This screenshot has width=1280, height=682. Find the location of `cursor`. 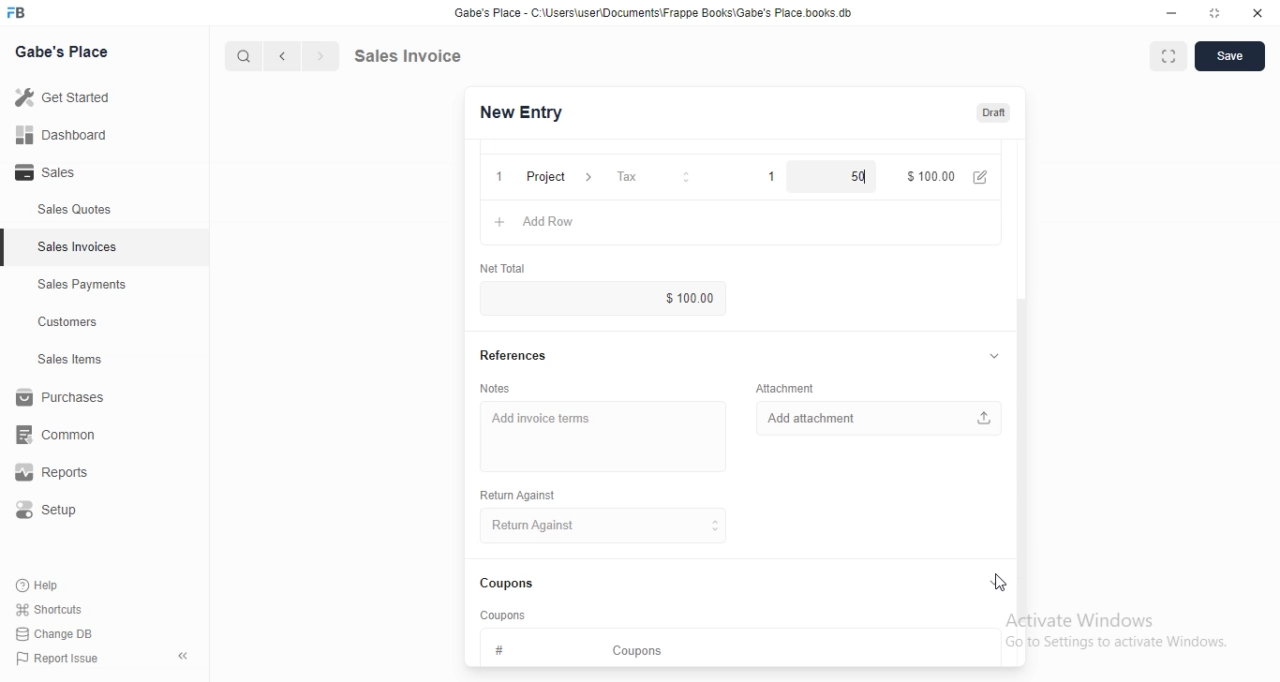

cursor is located at coordinates (1000, 583).